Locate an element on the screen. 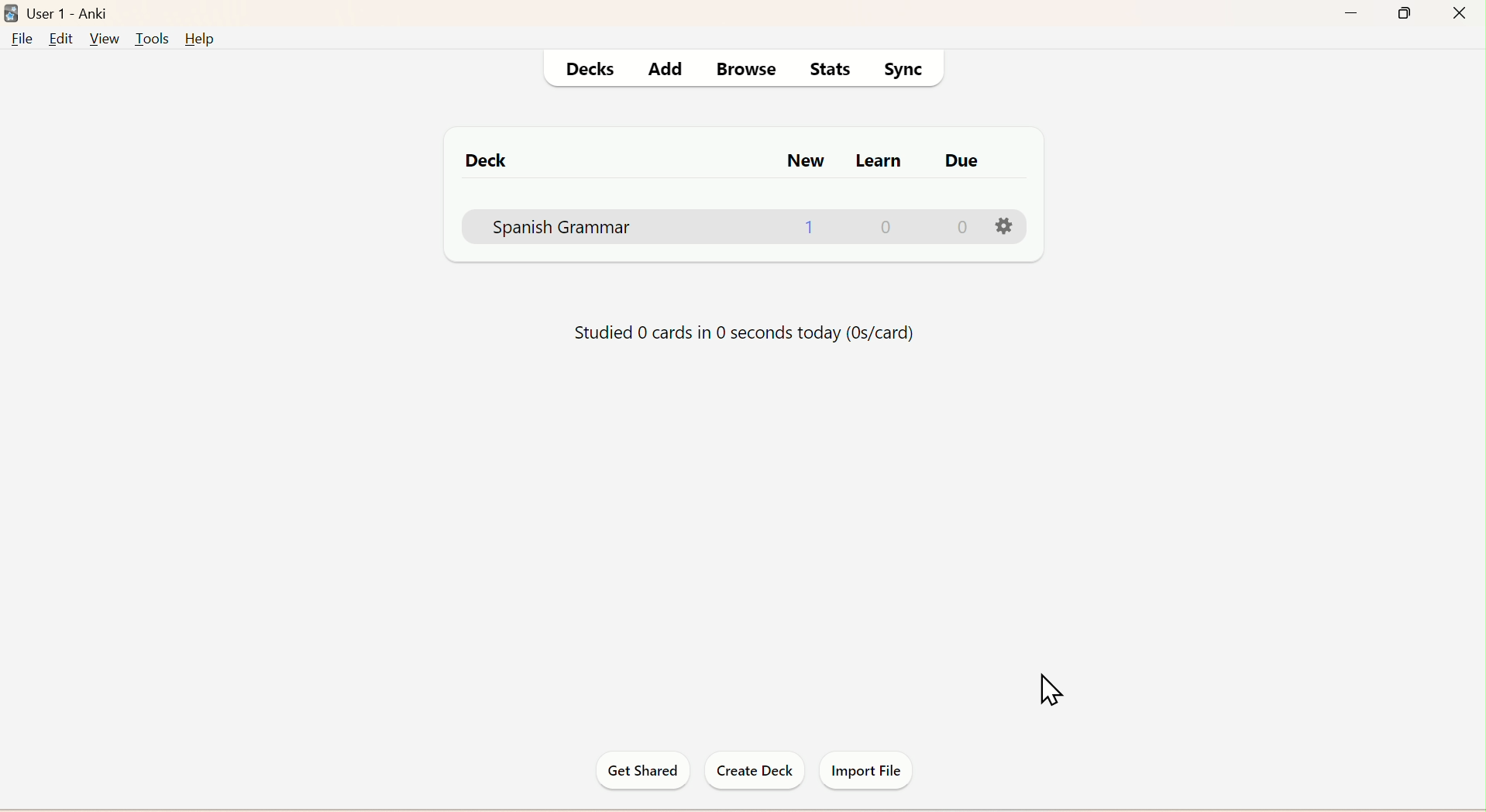 The width and height of the screenshot is (1486, 812). Minimize is located at coordinates (1354, 13).